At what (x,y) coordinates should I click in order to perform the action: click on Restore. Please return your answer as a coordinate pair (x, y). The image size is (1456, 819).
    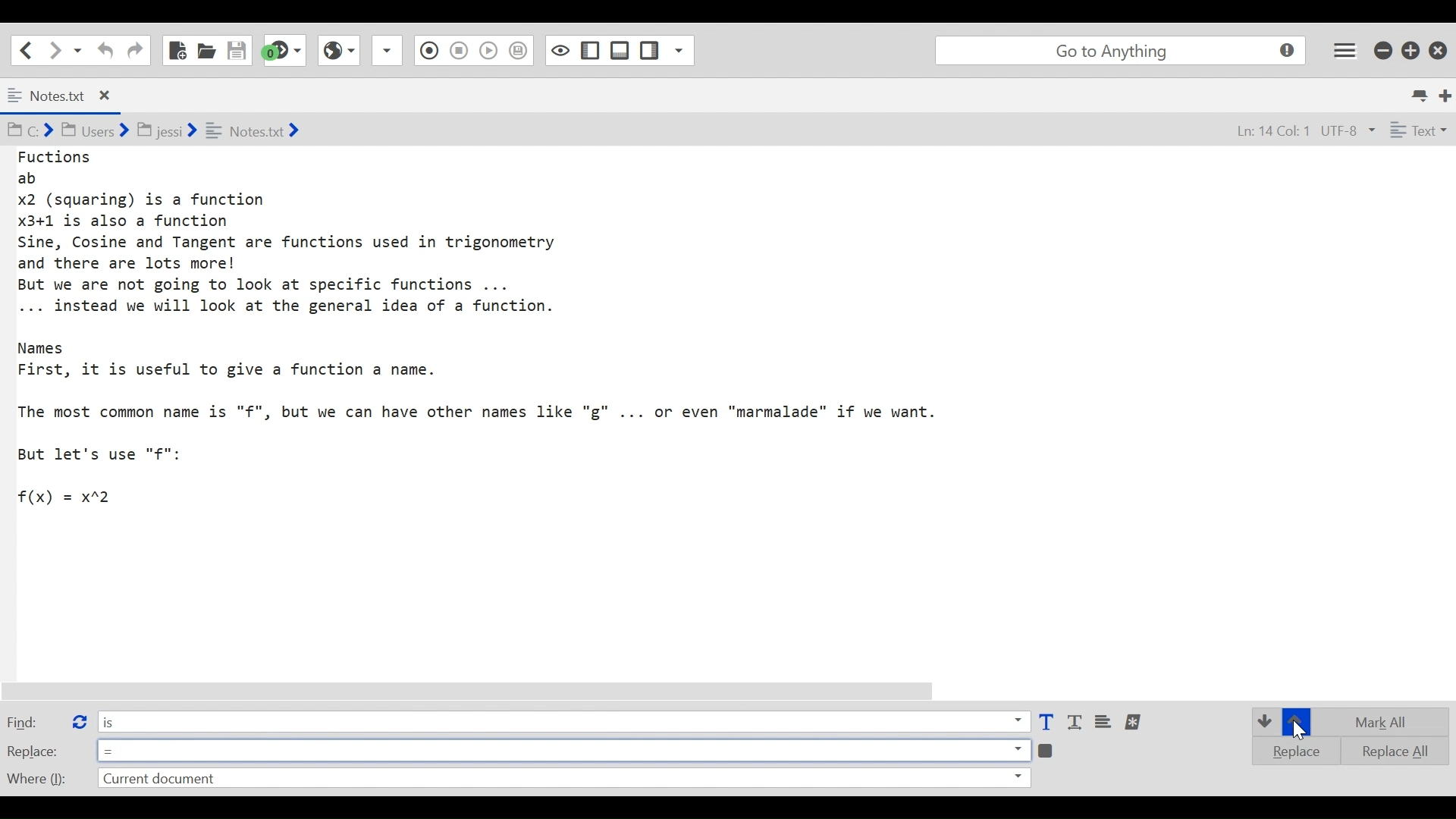
    Looking at the image, I should click on (1411, 49).